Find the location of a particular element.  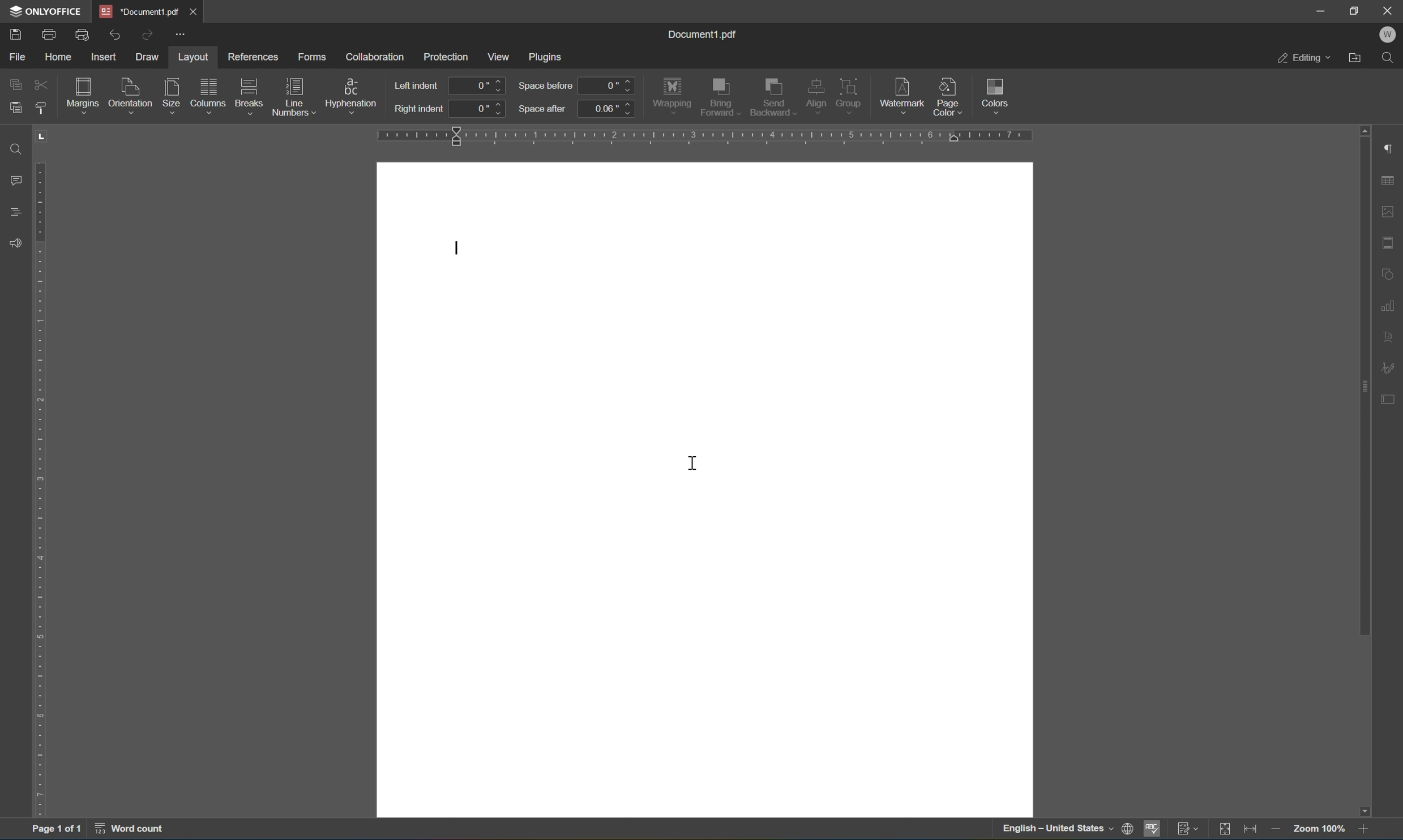

paragraph settings is located at coordinates (1391, 148).